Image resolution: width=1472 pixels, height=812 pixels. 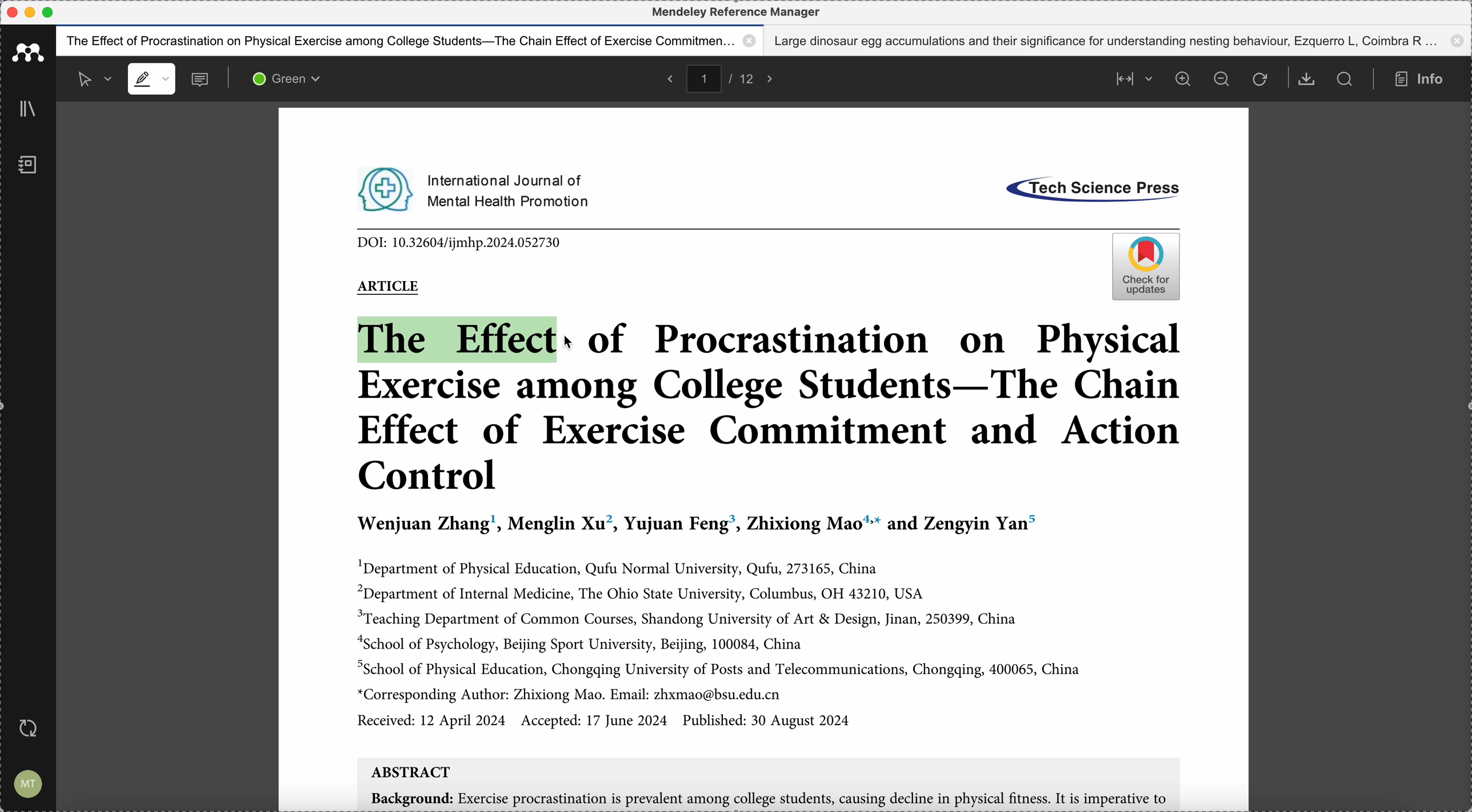 What do you see at coordinates (455, 339) in the screenshot?
I see `drag to highlight with green color` at bounding box center [455, 339].